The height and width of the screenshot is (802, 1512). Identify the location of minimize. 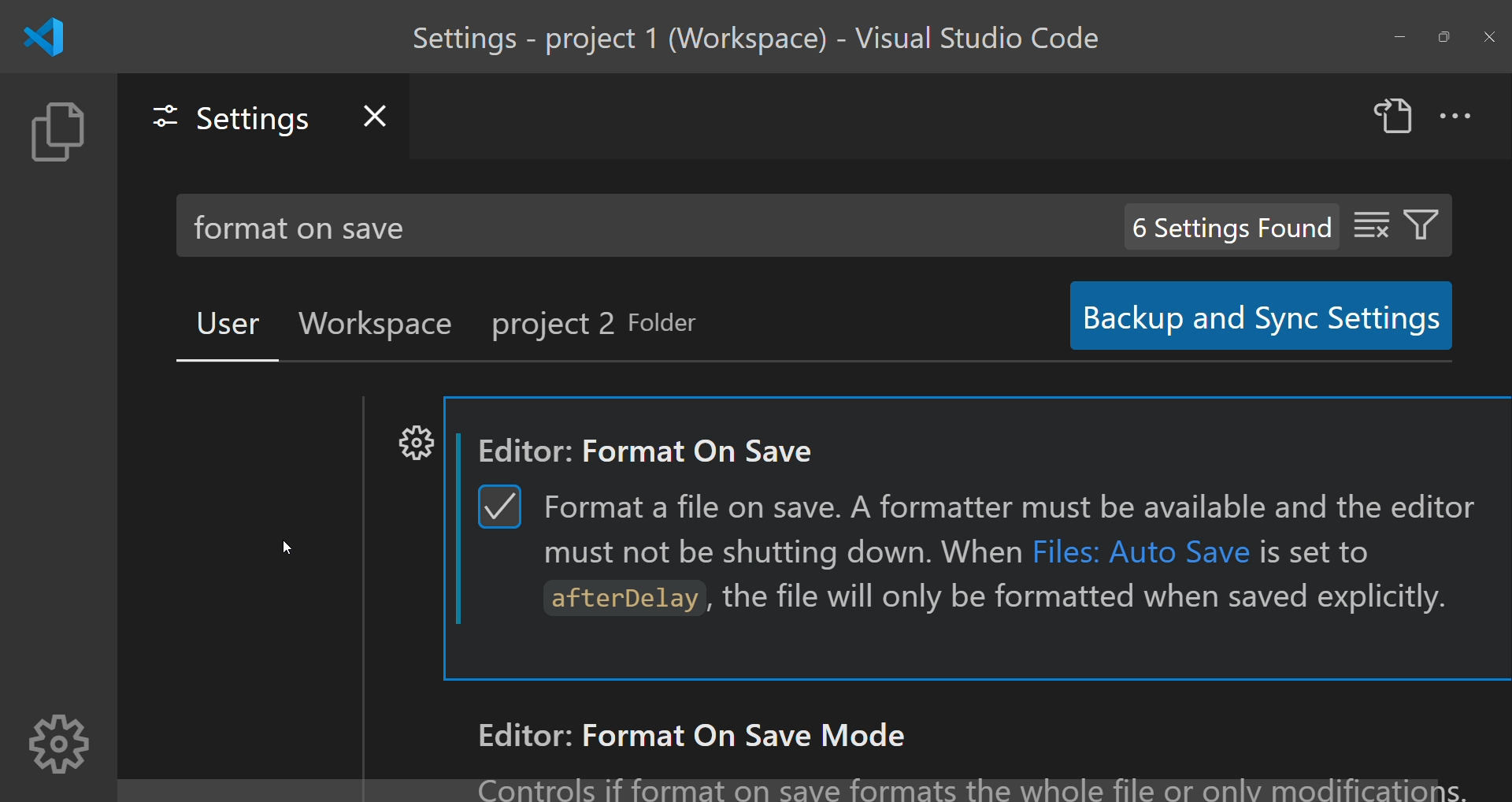
(1395, 39).